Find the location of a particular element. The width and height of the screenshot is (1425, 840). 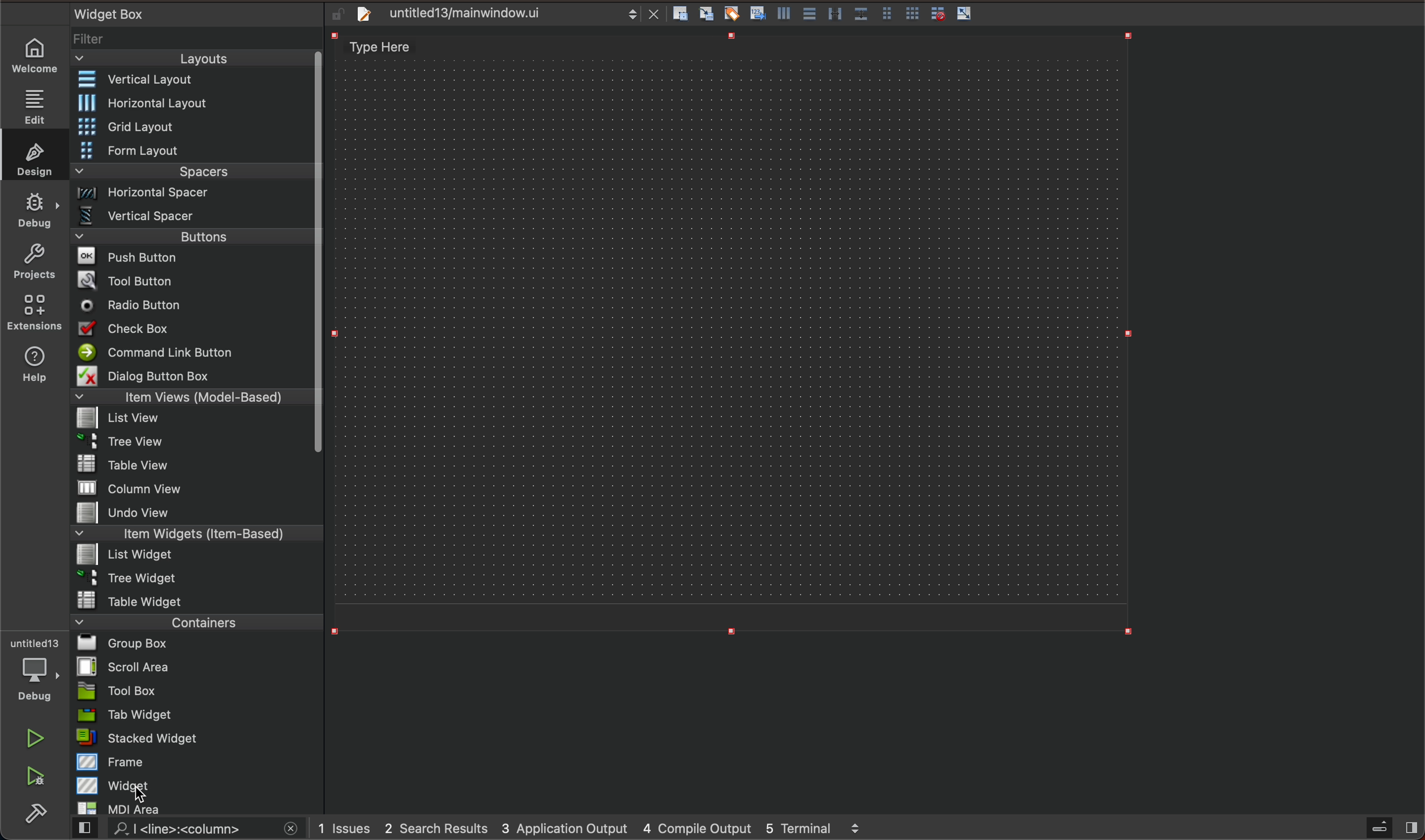

main layout is located at coordinates (739, 334).